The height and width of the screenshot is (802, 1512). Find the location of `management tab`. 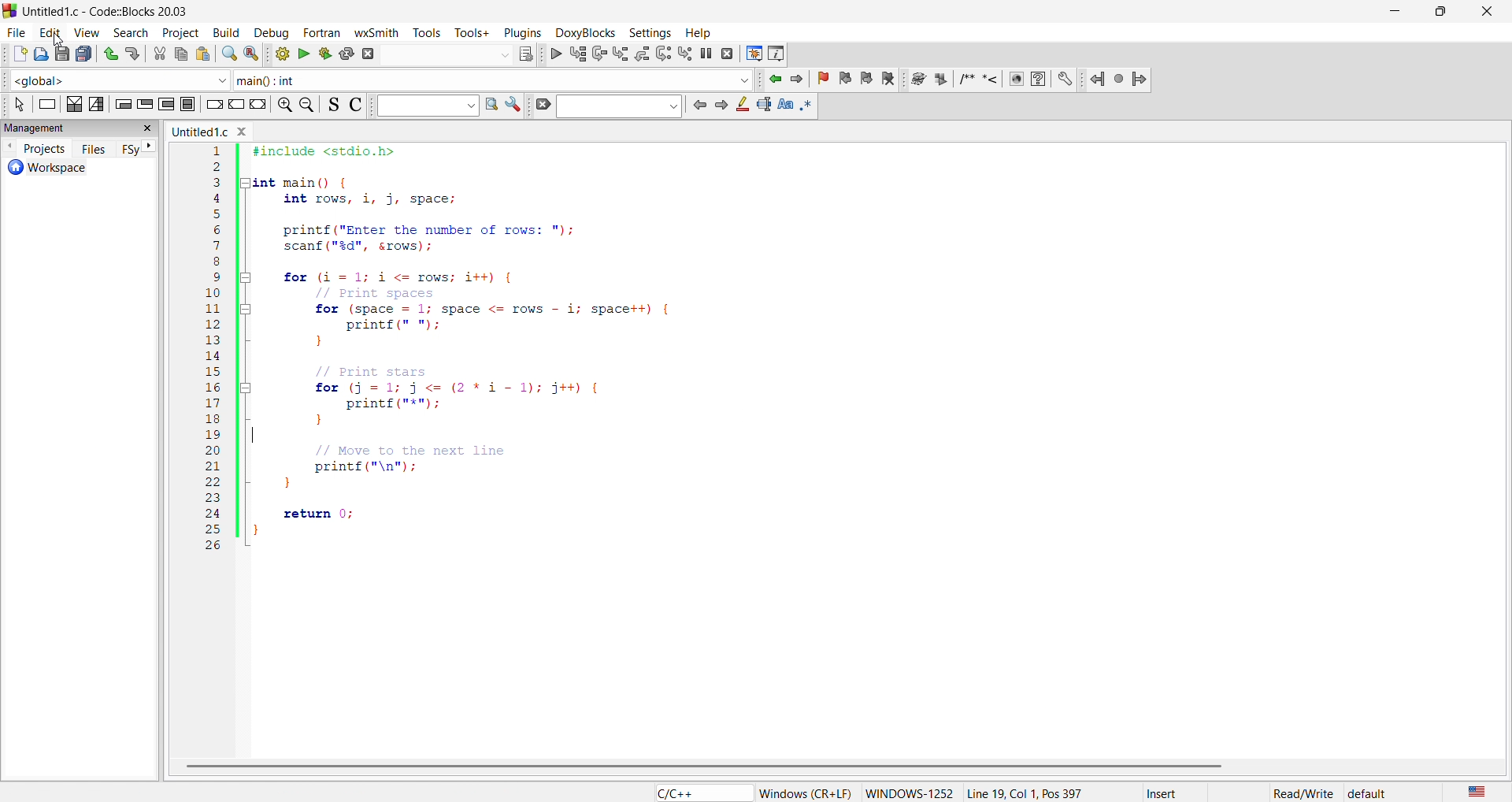

management tab is located at coordinates (82, 130).